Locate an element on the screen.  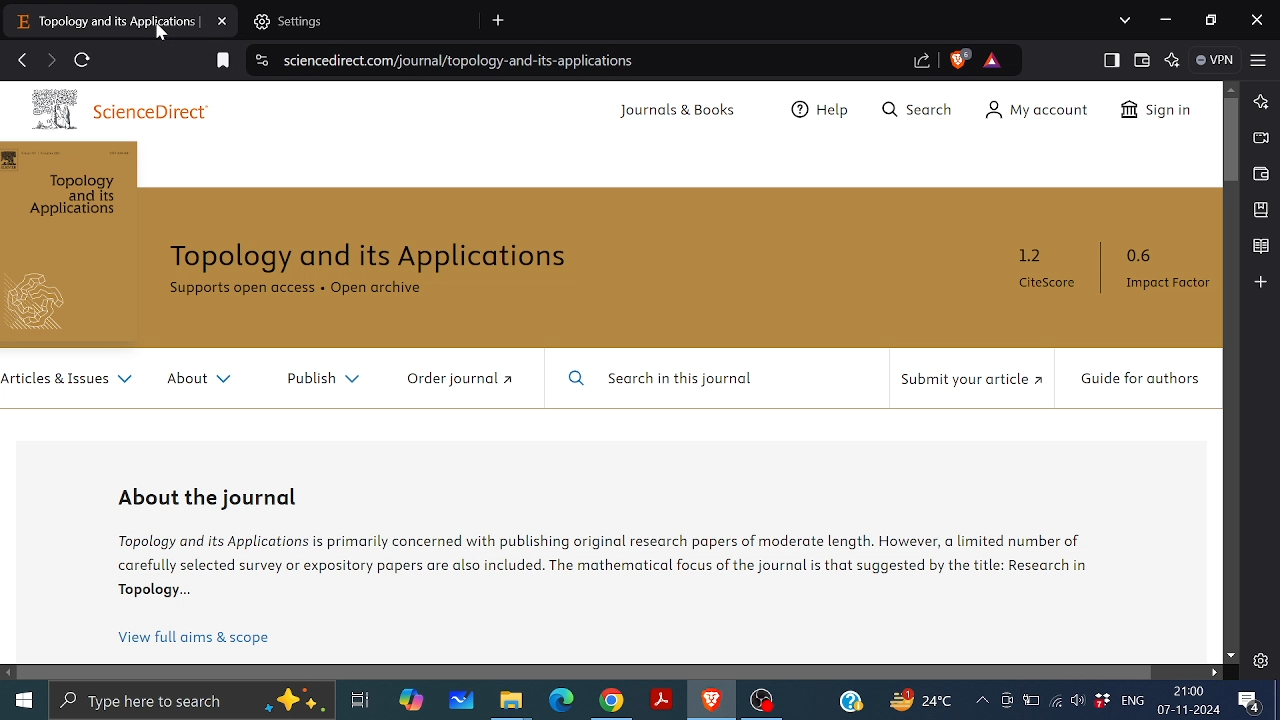
Bookmarks is located at coordinates (1260, 210).